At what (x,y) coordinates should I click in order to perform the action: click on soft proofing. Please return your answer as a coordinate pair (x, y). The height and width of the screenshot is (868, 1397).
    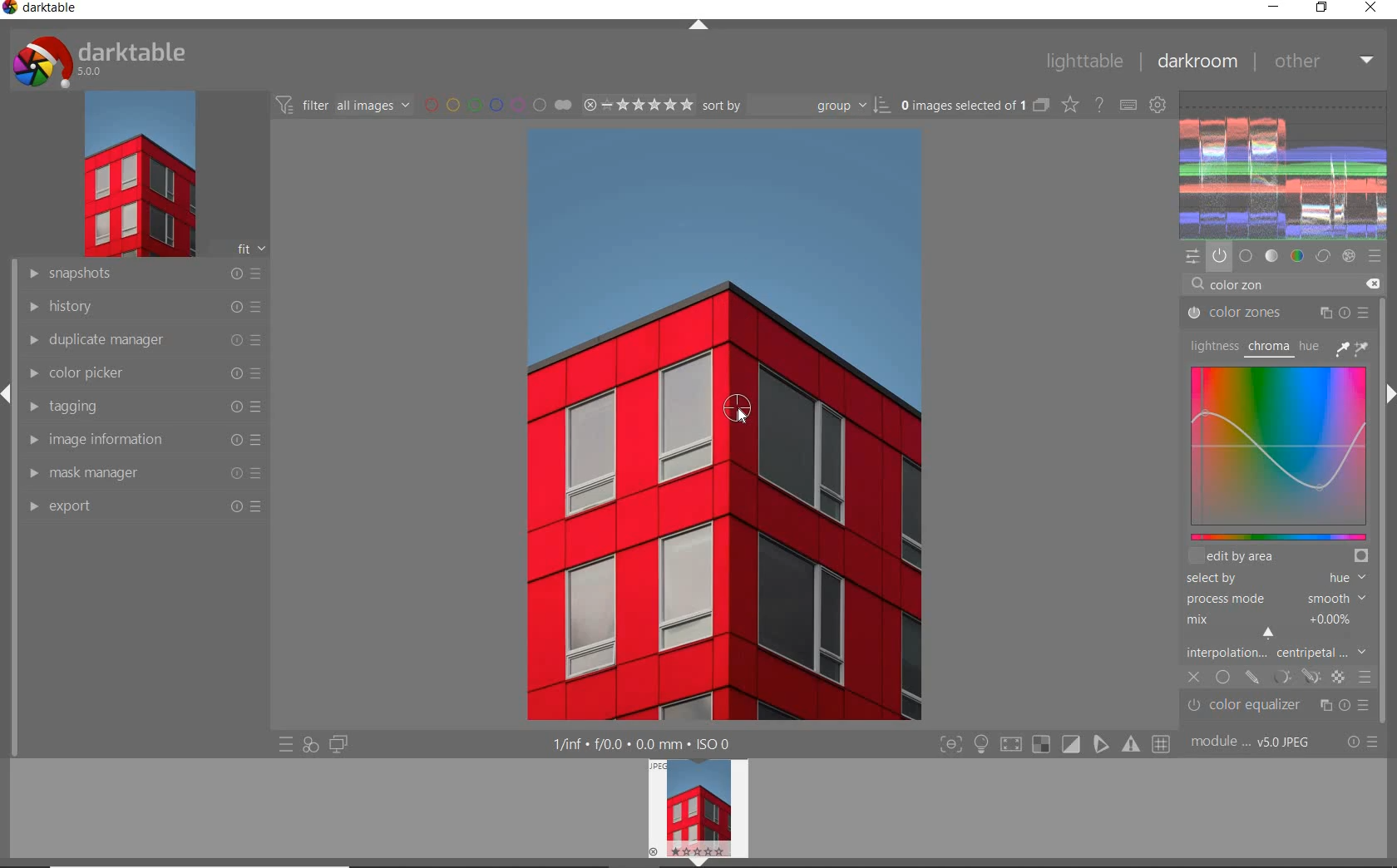
    Looking at the image, I should click on (1072, 744).